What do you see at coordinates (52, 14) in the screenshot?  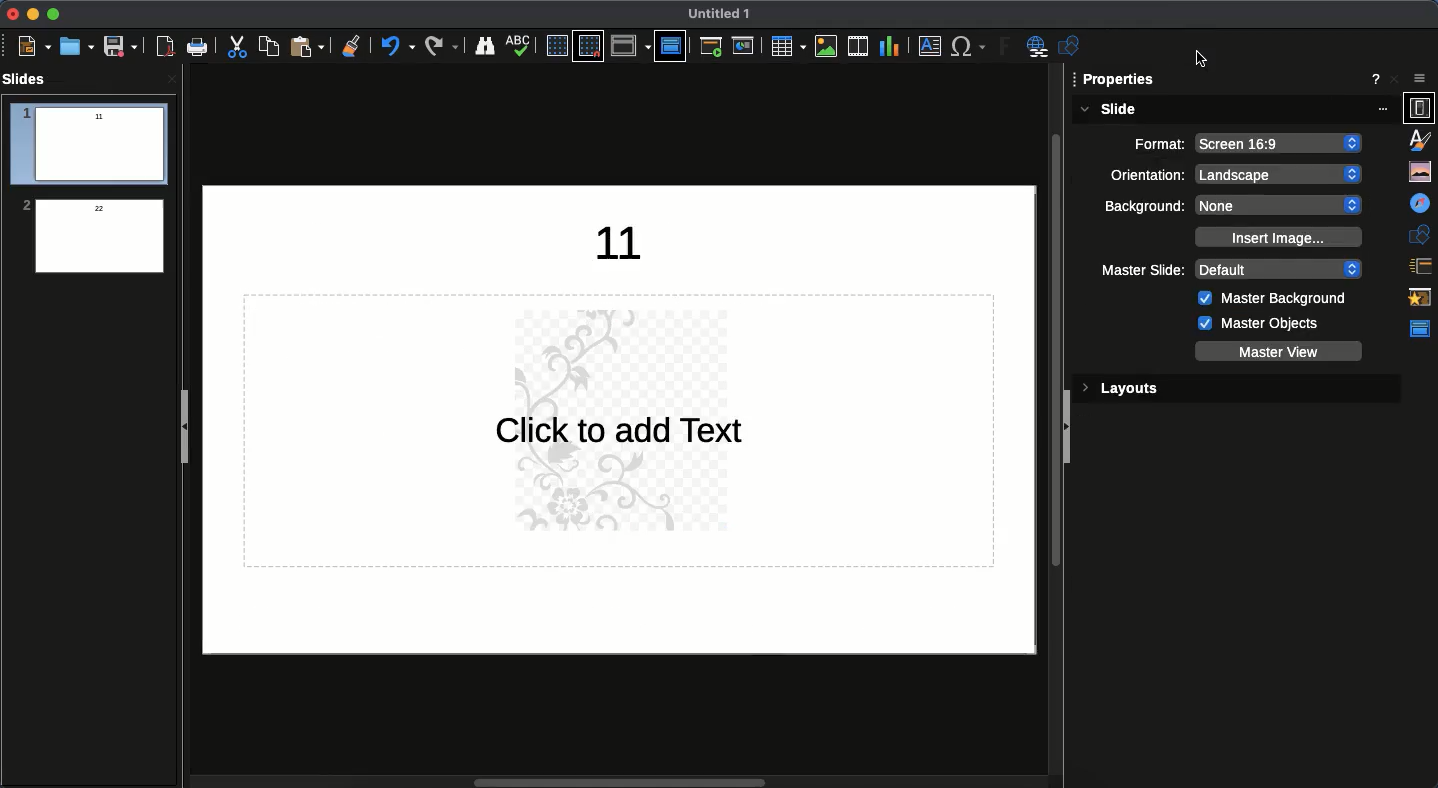 I see `Maximize` at bounding box center [52, 14].